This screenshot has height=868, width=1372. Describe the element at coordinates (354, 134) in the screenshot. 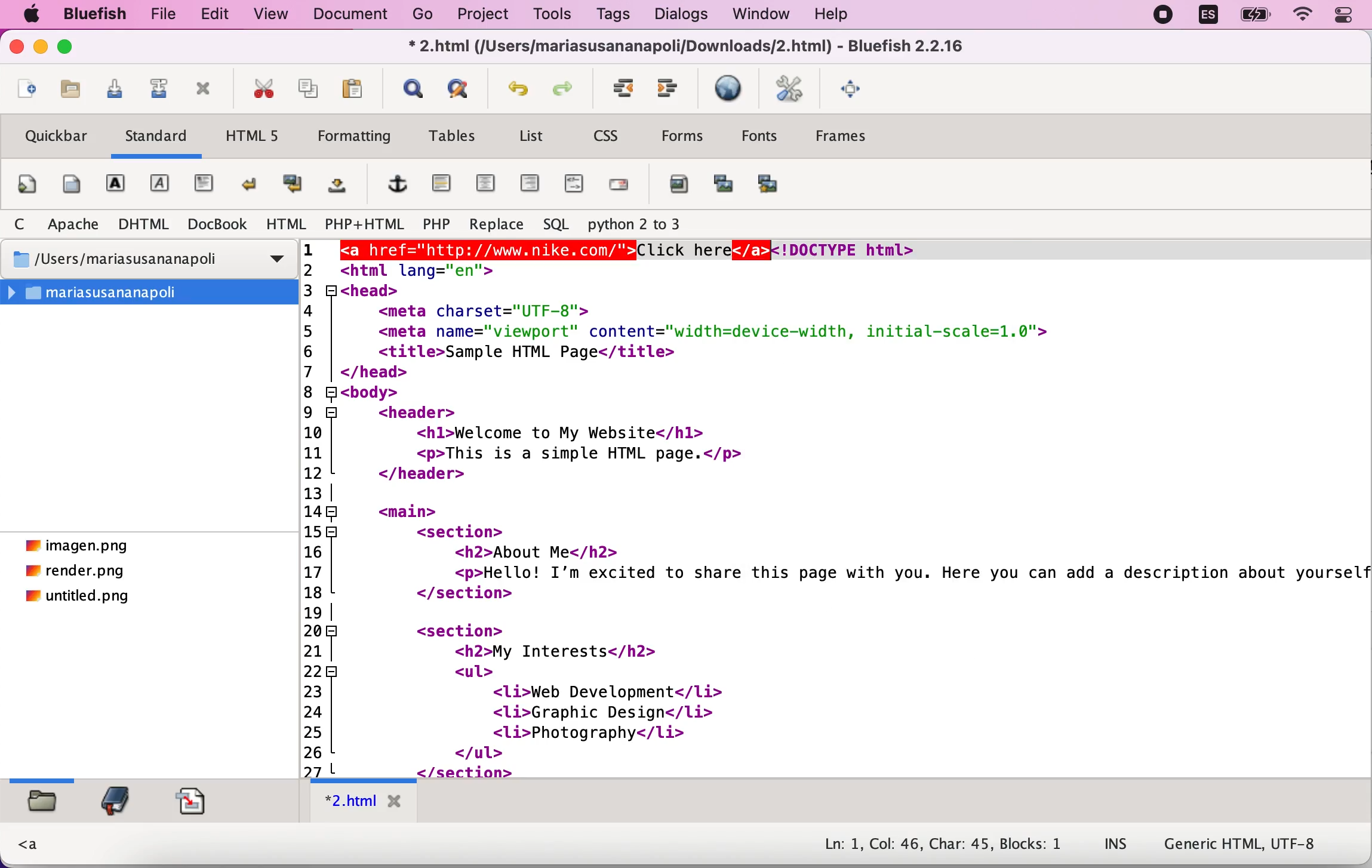

I see `formatting` at that location.